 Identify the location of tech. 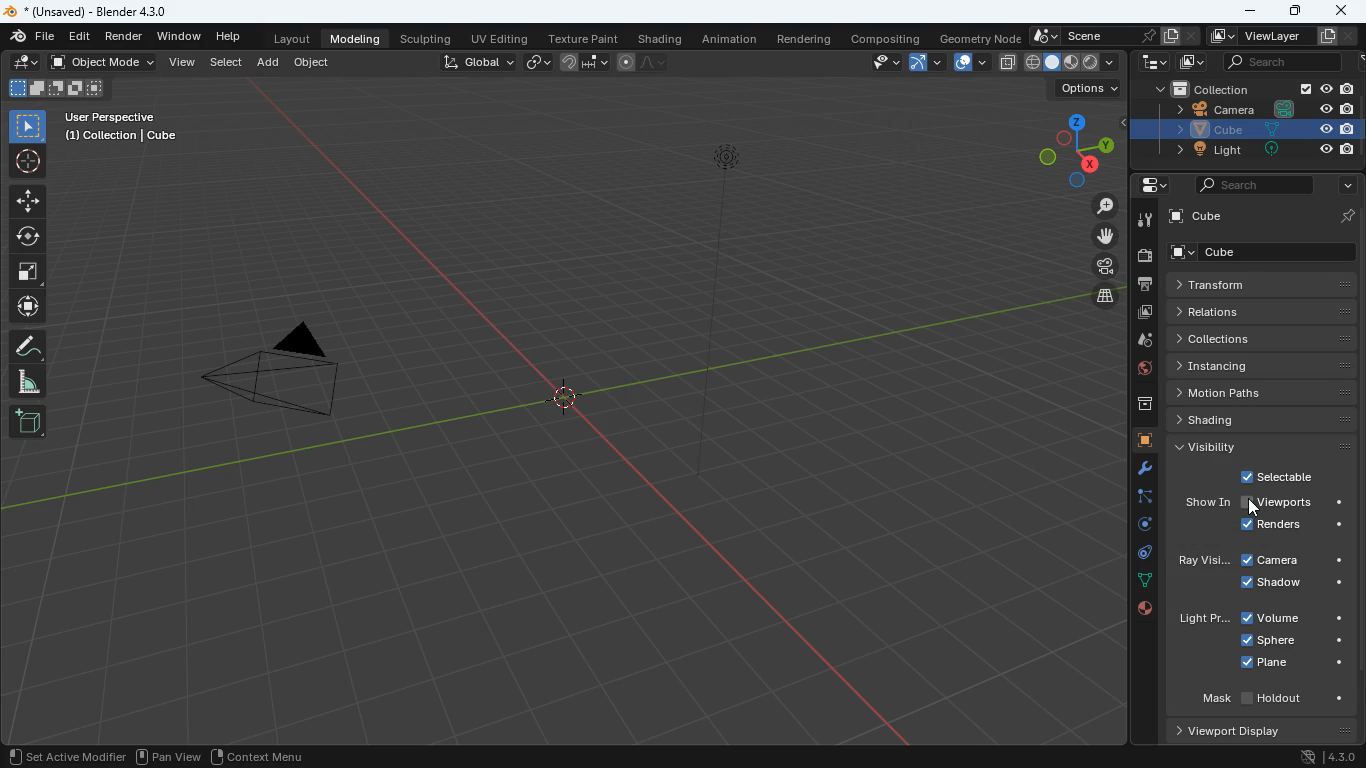
(1149, 63).